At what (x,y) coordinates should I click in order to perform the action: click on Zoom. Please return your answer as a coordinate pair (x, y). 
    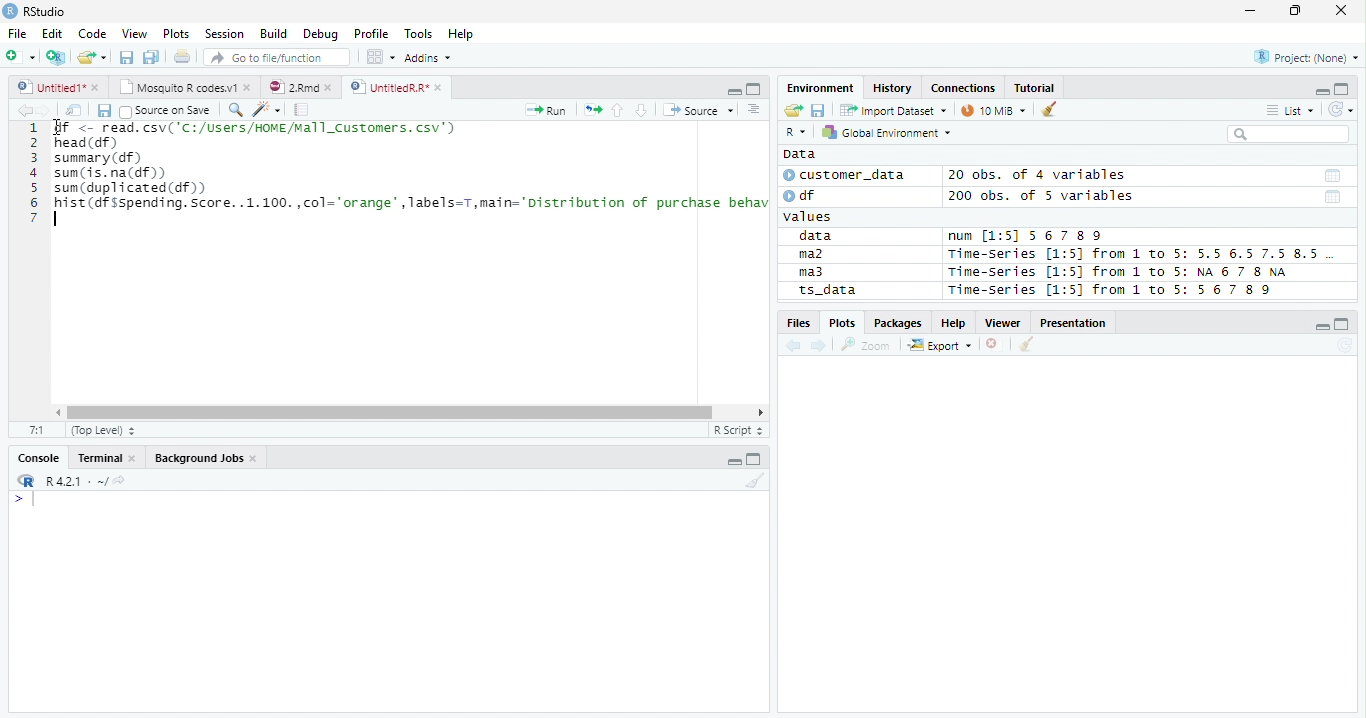
    Looking at the image, I should click on (866, 345).